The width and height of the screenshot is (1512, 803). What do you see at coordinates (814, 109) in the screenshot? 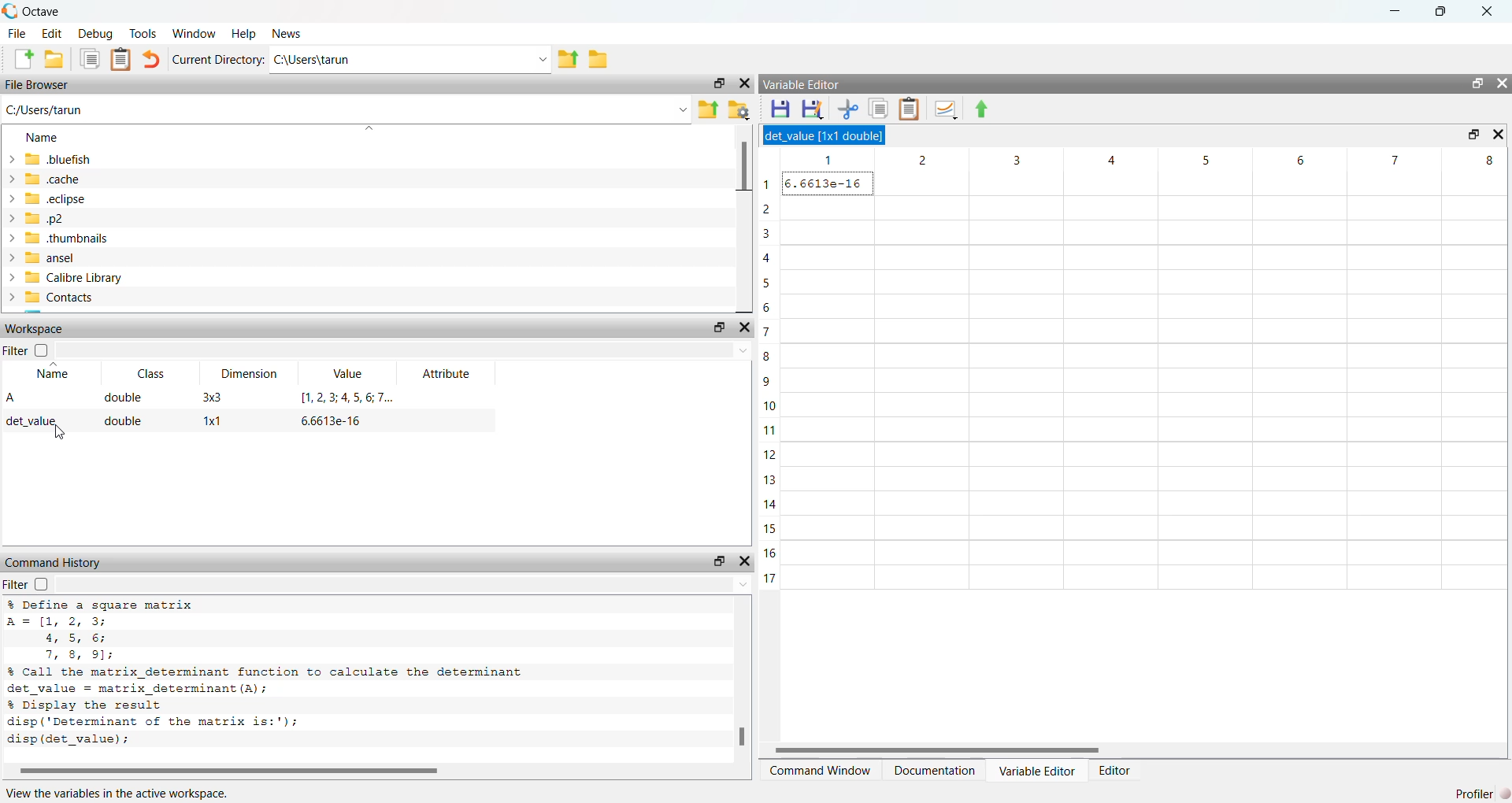
I see `save variable to a file in different format` at bounding box center [814, 109].